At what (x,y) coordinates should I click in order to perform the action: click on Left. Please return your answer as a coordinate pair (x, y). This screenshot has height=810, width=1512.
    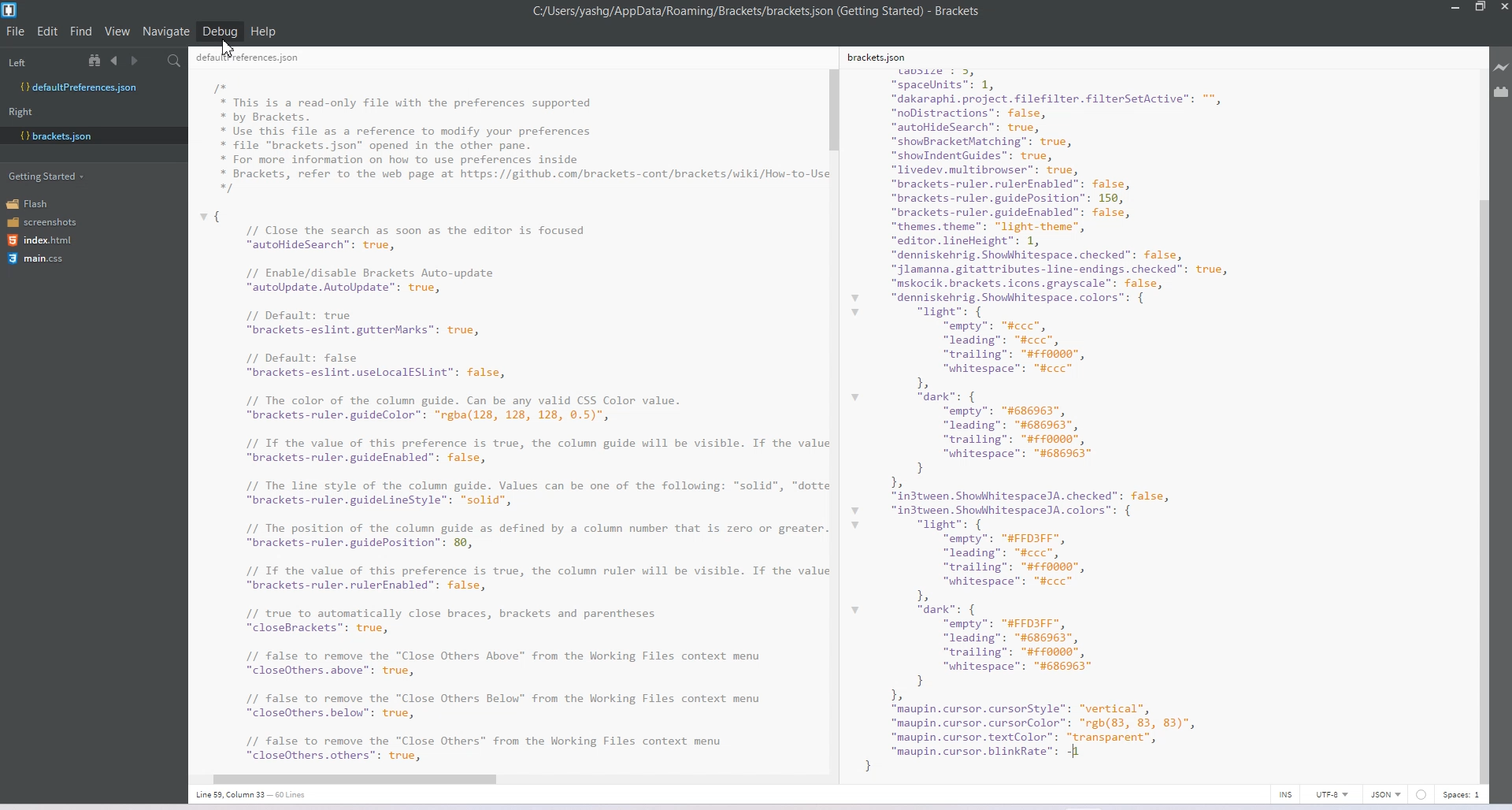
    Looking at the image, I should click on (17, 63).